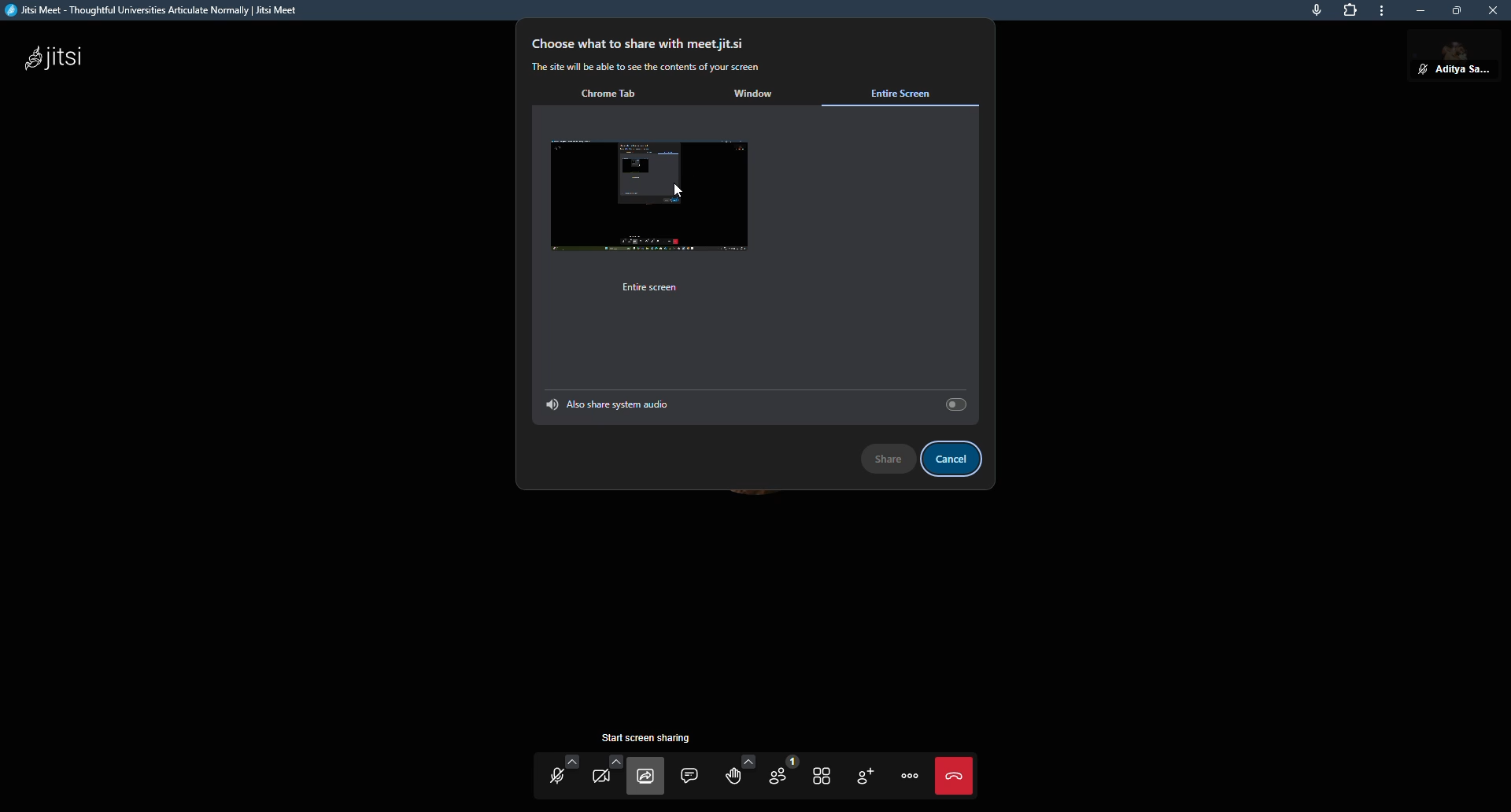  What do you see at coordinates (651, 68) in the screenshot?
I see `The site will be able to see the contents of your screen` at bounding box center [651, 68].